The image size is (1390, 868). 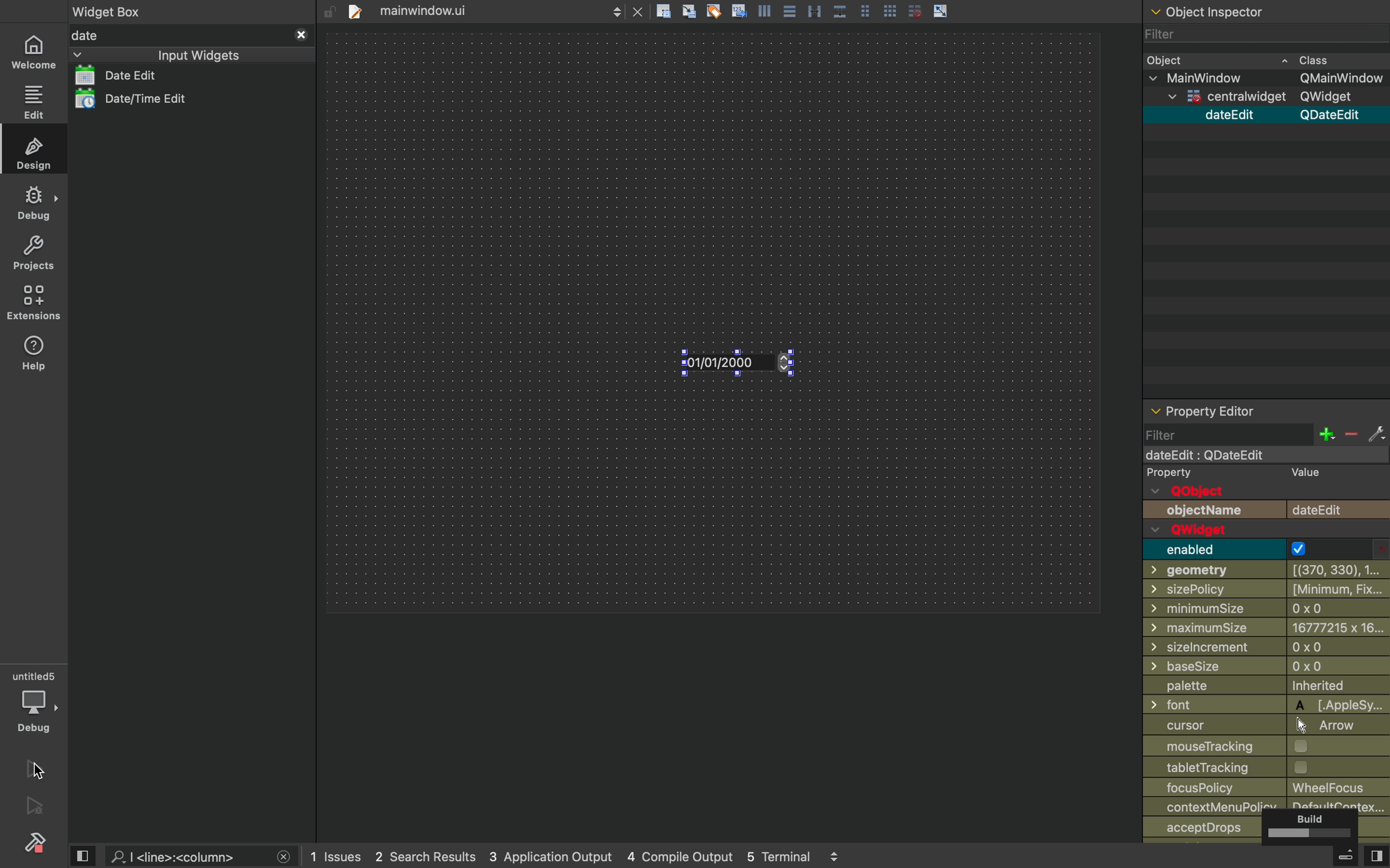 What do you see at coordinates (37, 805) in the screenshot?
I see `debug and run` at bounding box center [37, 805].